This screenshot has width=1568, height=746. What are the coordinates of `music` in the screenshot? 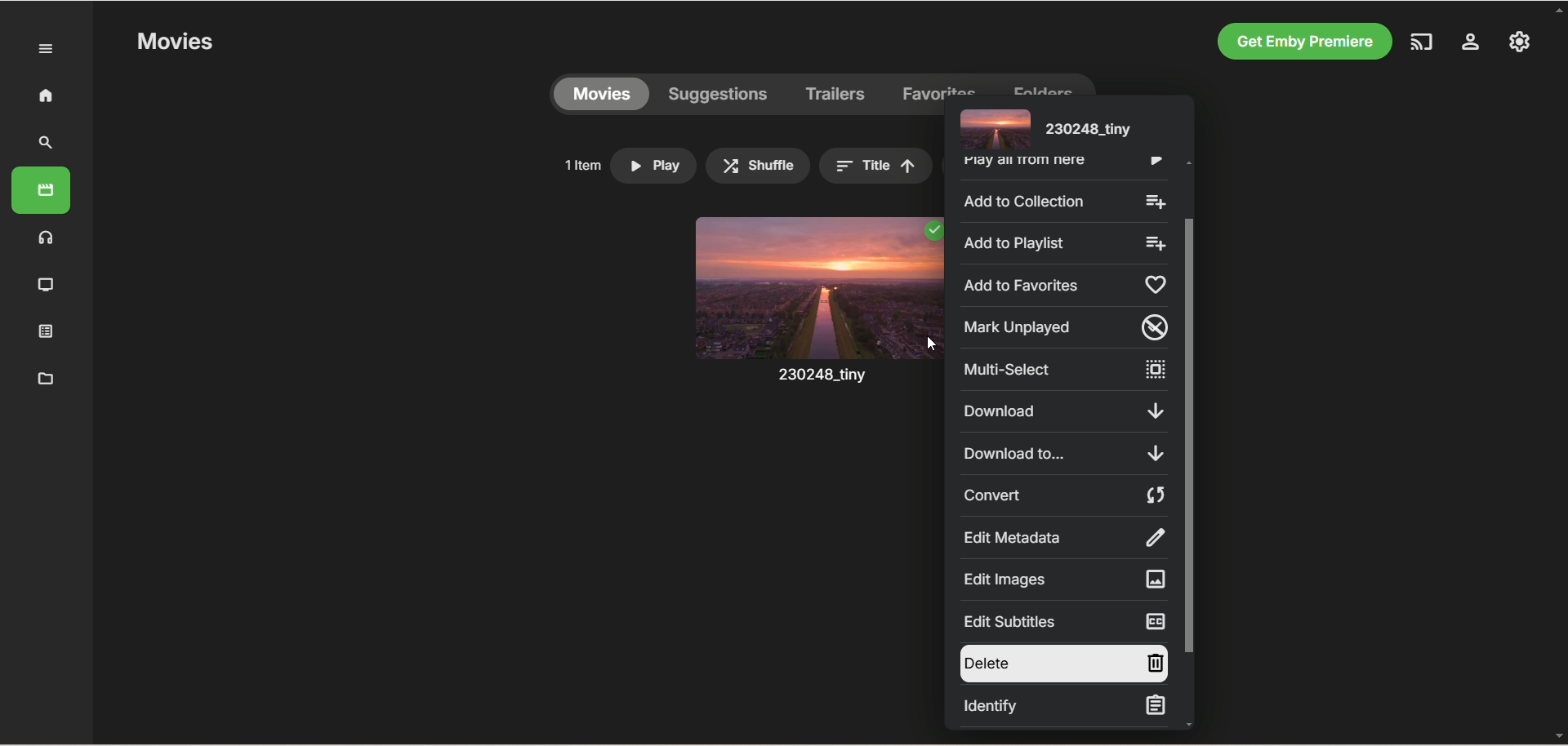 It's located at (47, 237).